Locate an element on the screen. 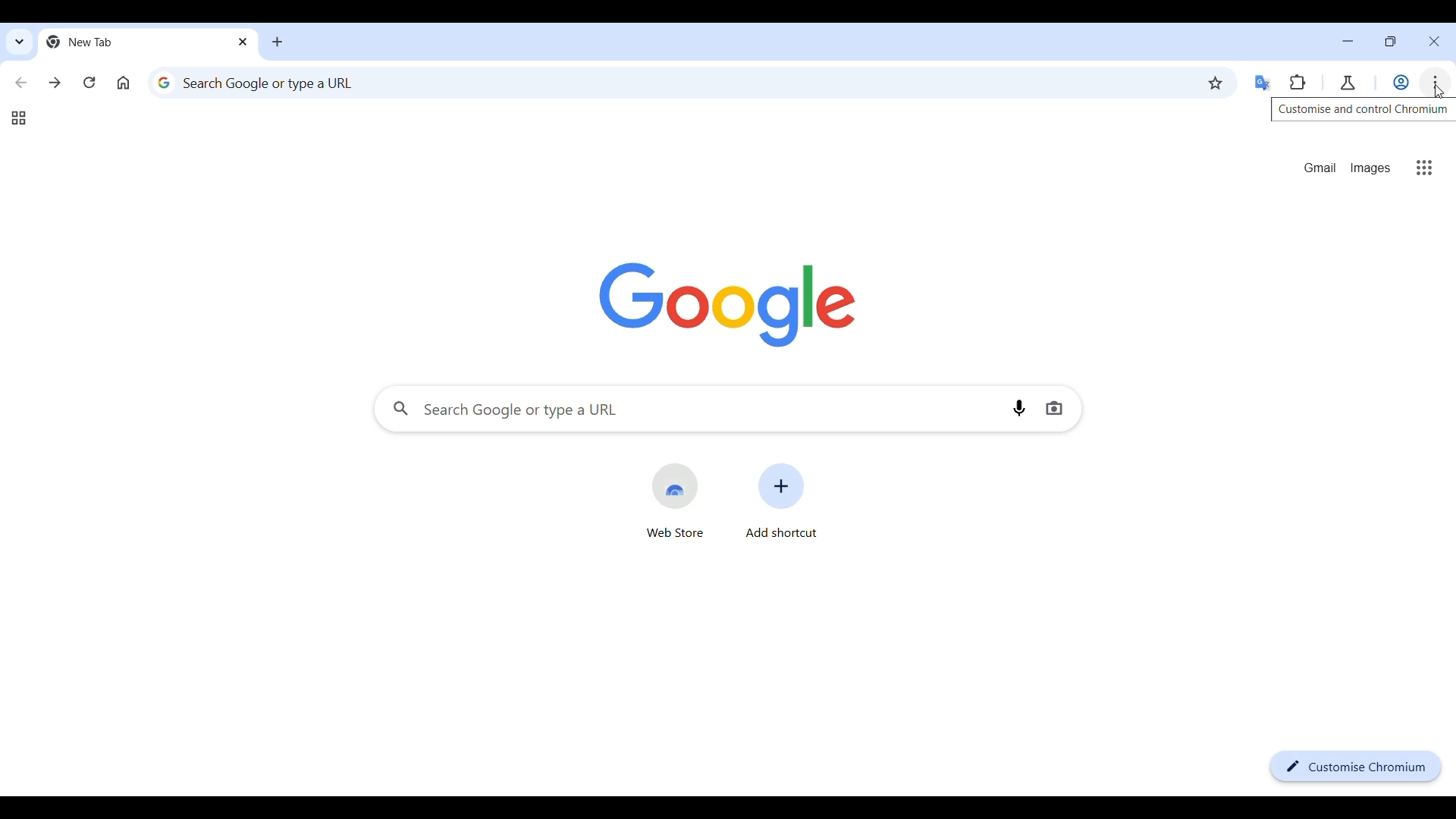 This screenshot has width=1456, height=819. Search tabs is located at coordinates (20, 42).